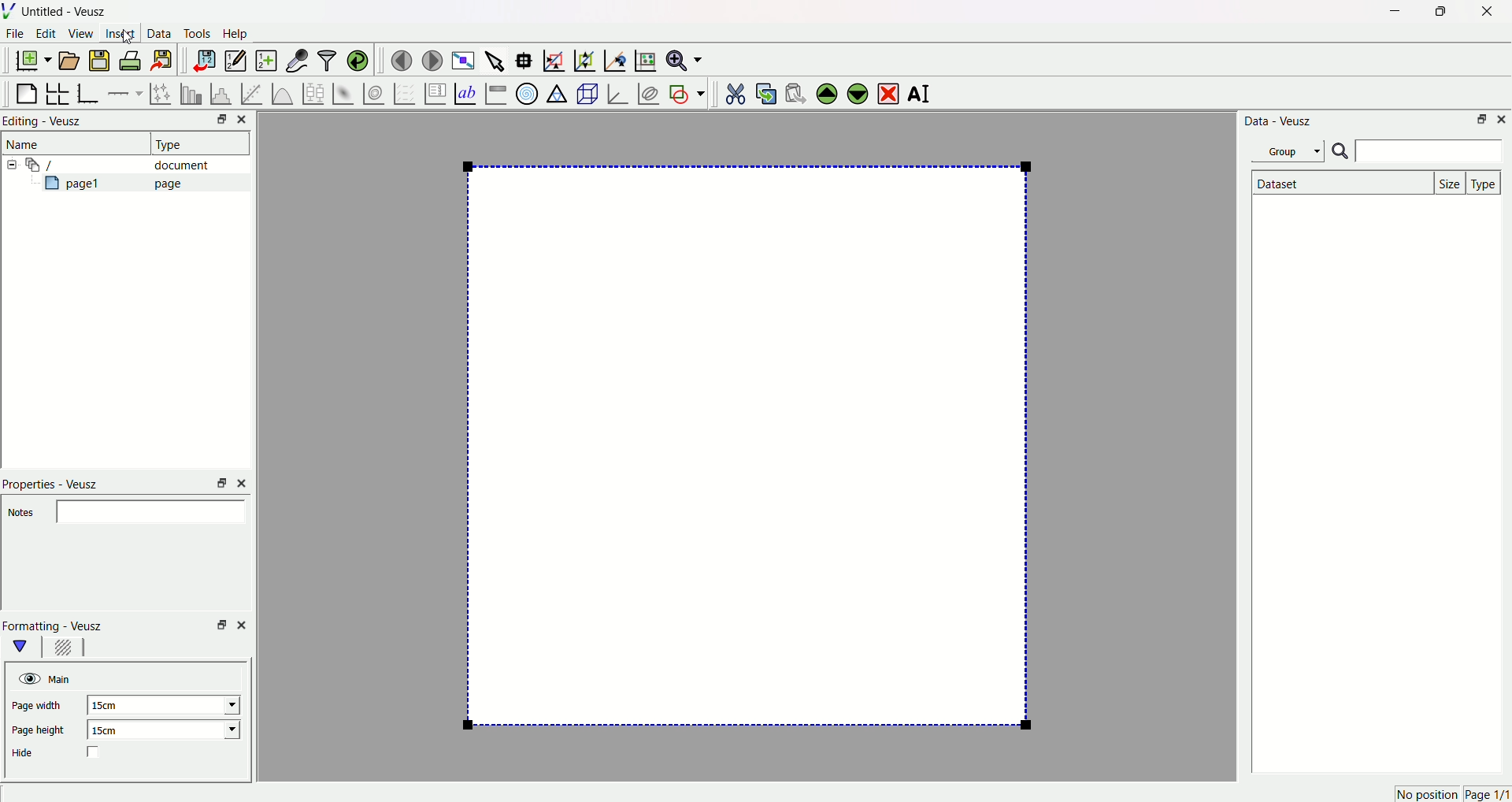 This screenshot has height=802, width=1512. Describe the element at coordinates (67, 13) in the screenshot. I see `Untitled - Veusz` at that location.